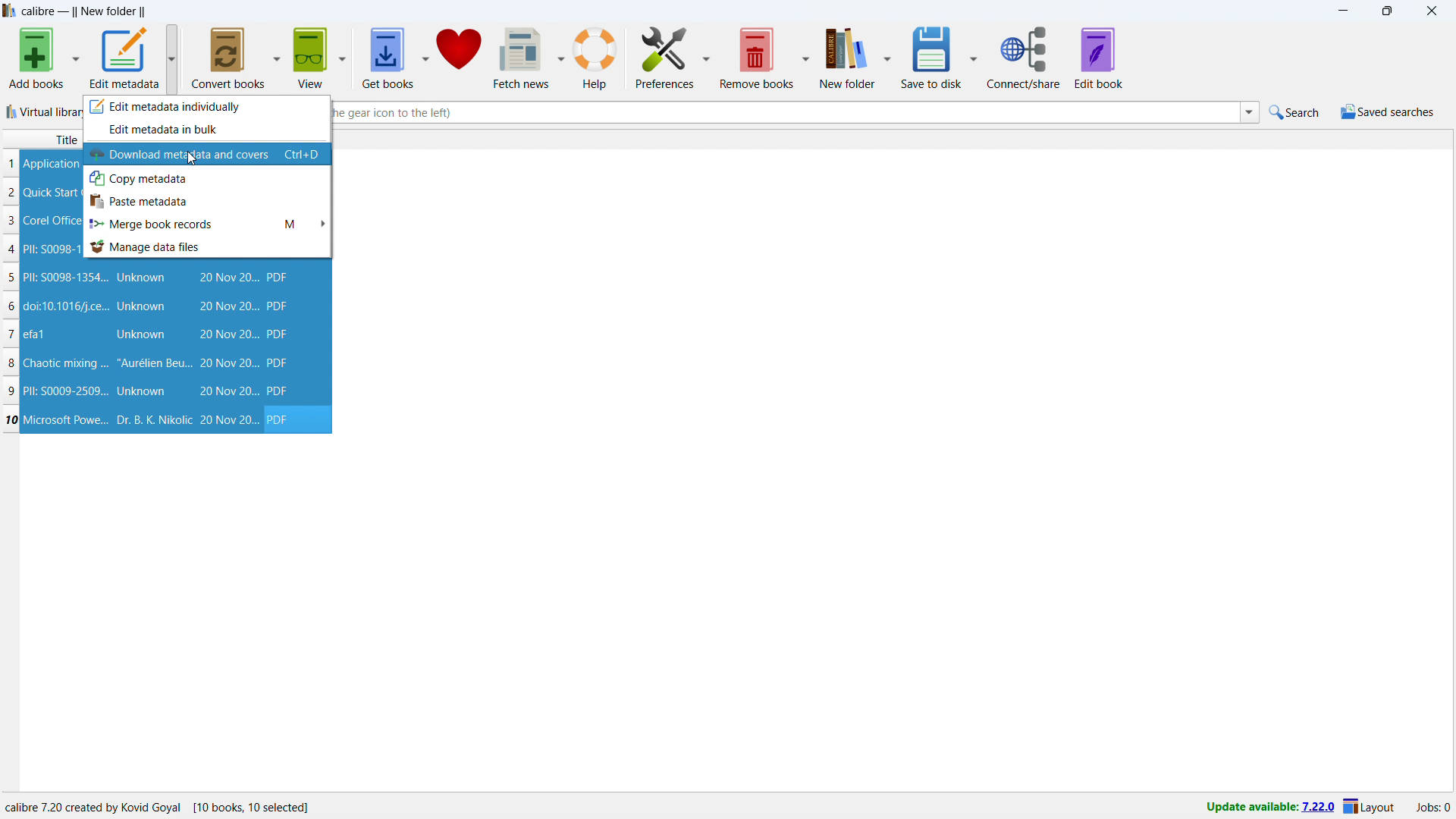 Image resolution: width=1456 pixels, height=819 pixels. Describe the element at coordinates (11, 221) in the screenshot. I see `3` at that location.